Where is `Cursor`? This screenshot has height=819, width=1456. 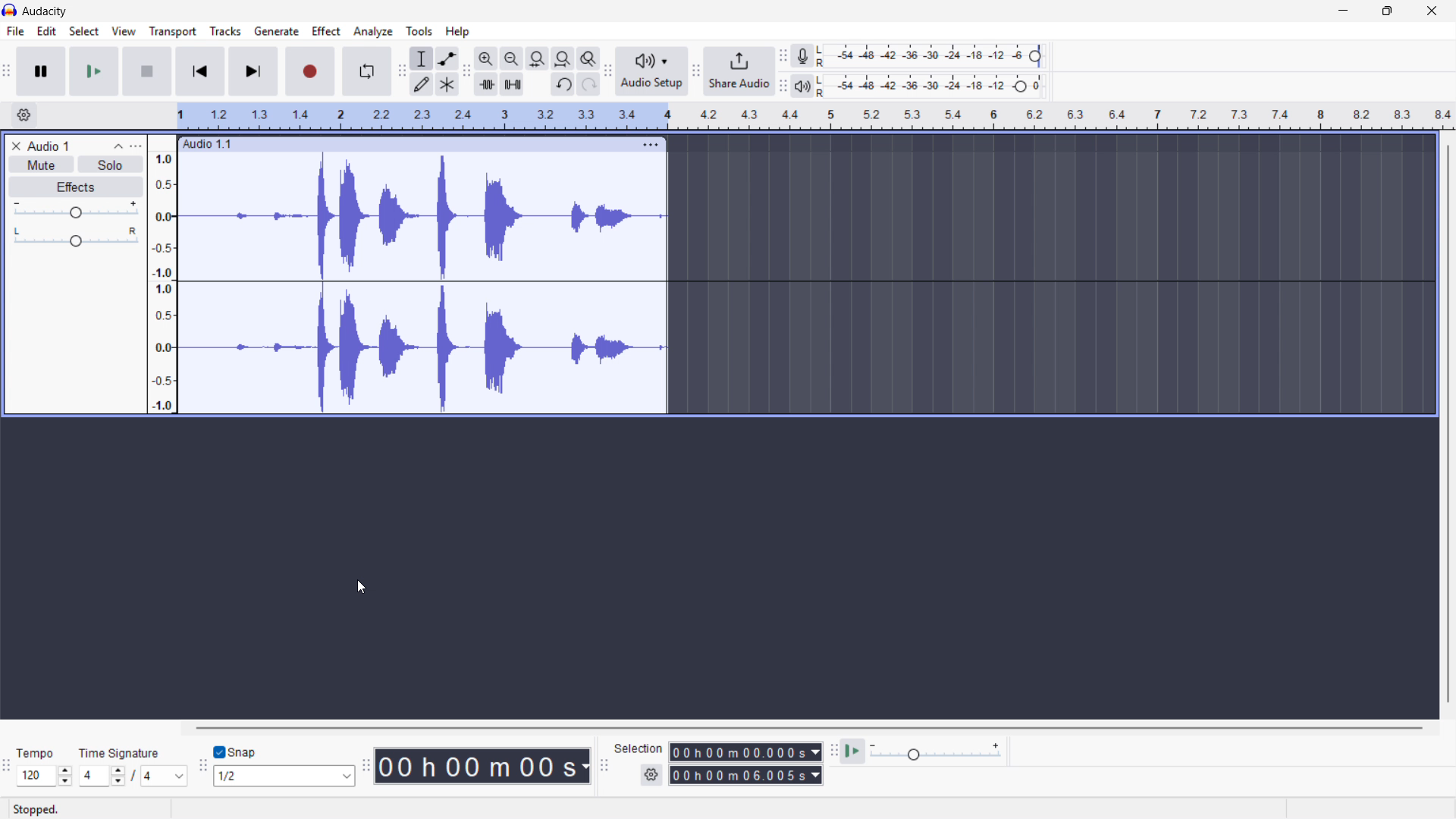
Cursor is located at coordinates (361, 588).